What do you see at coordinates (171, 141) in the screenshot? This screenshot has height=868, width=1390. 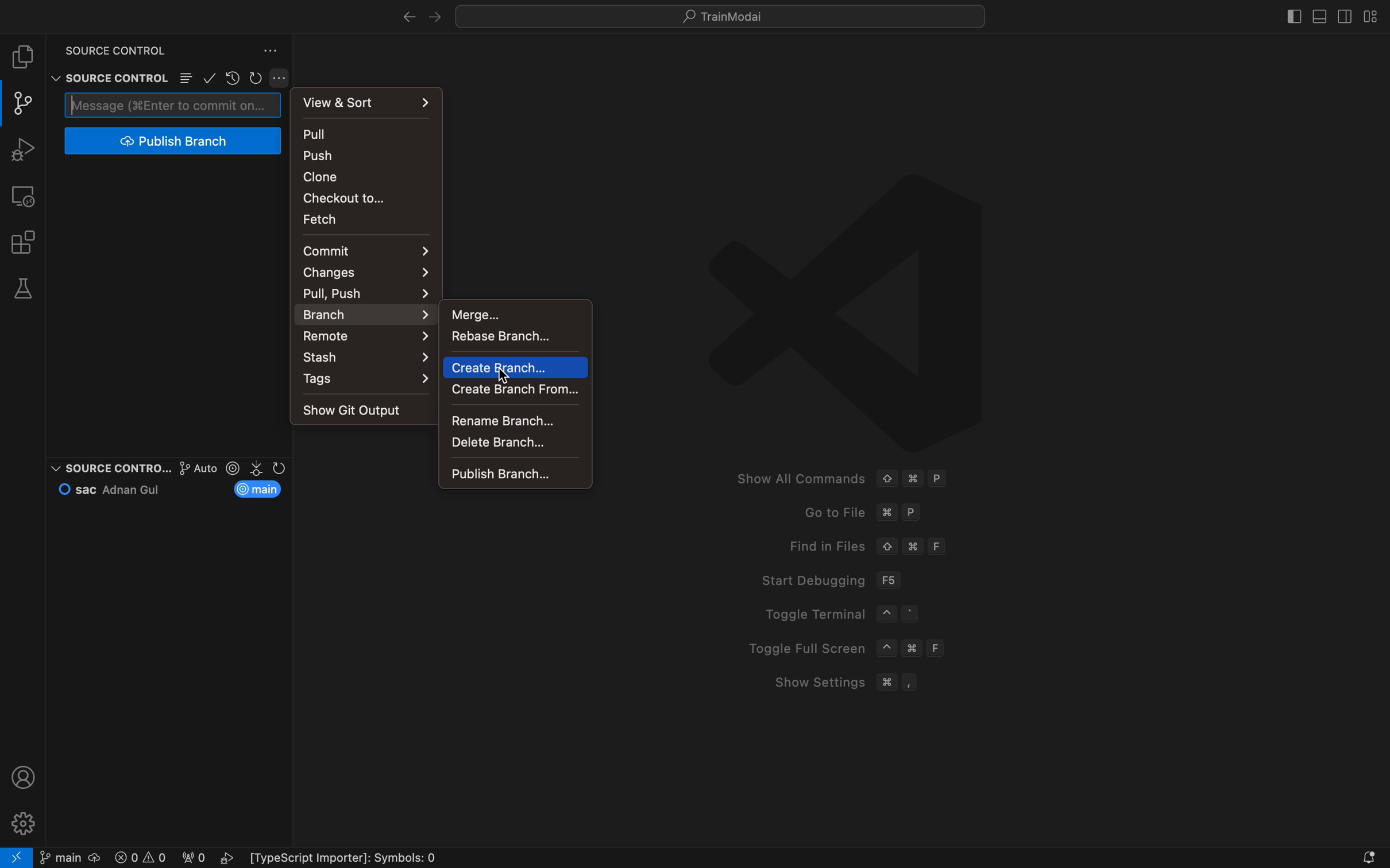 I see `publish branch` at bounding box center [171, 141].